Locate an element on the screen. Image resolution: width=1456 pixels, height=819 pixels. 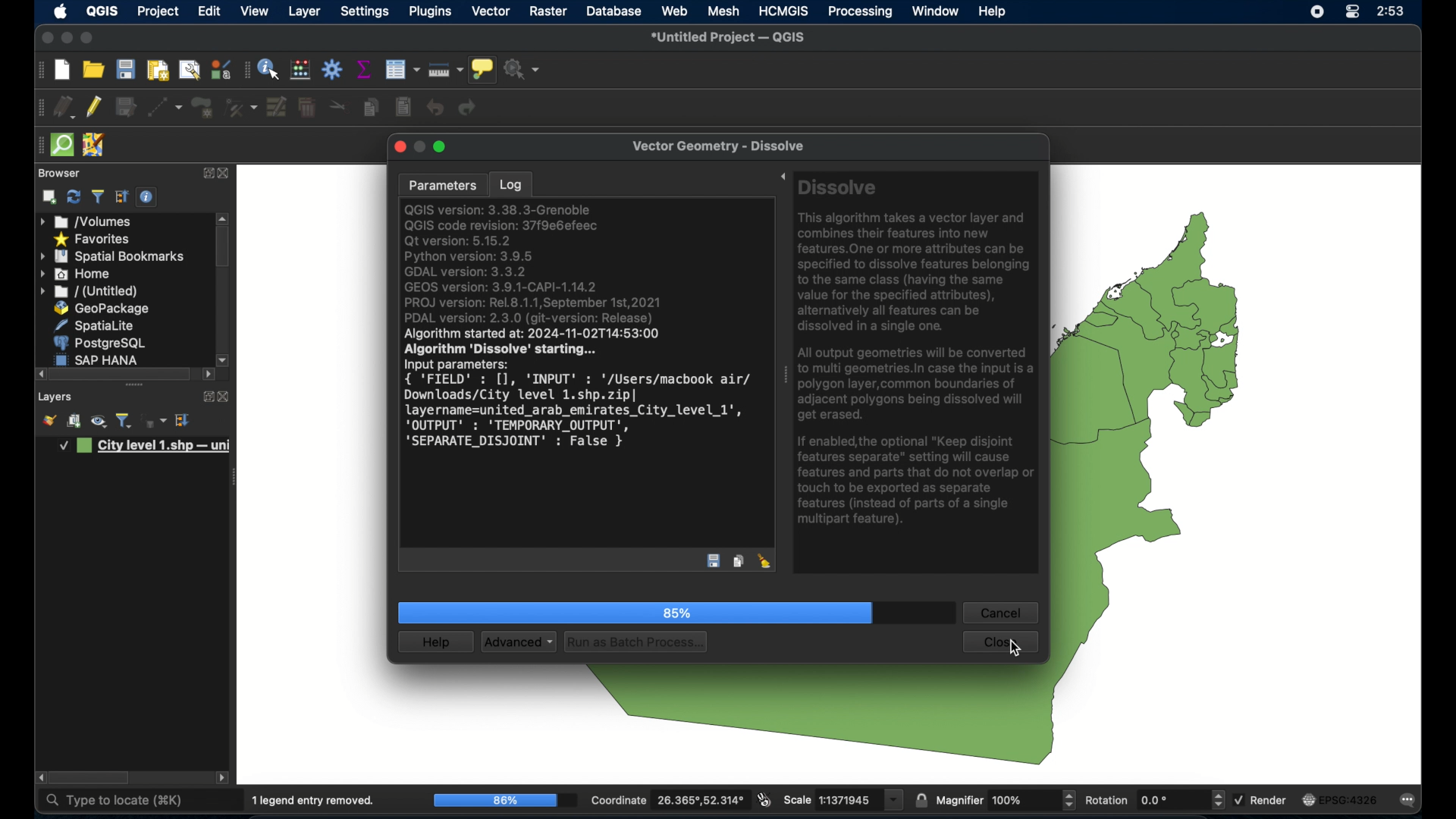
copy features is located at coordinates (371, 107).